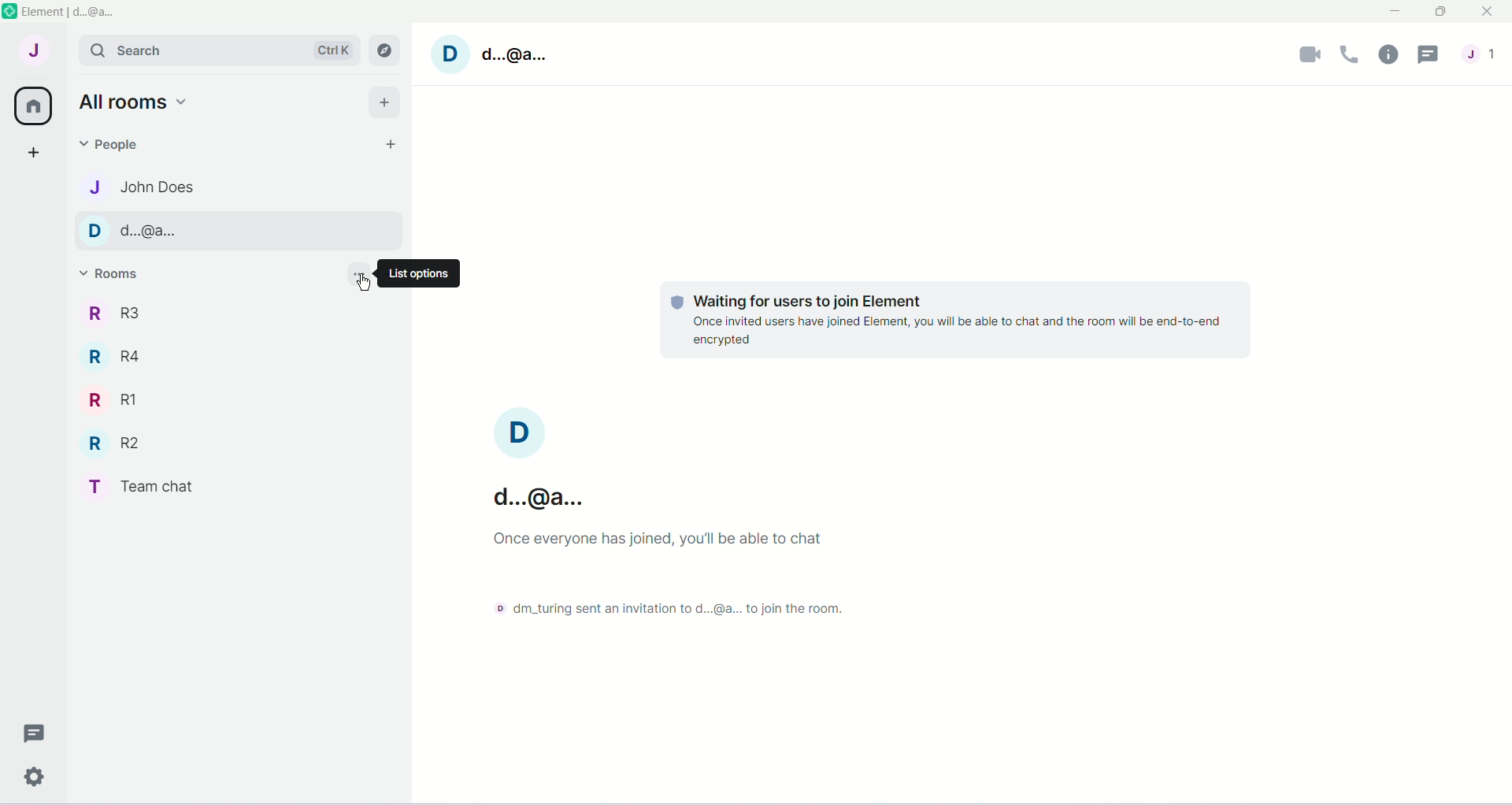  What do you see at coordinates (32, 106) in the screenshot?
I see `All Rooms` at bounding box center [32, 106].